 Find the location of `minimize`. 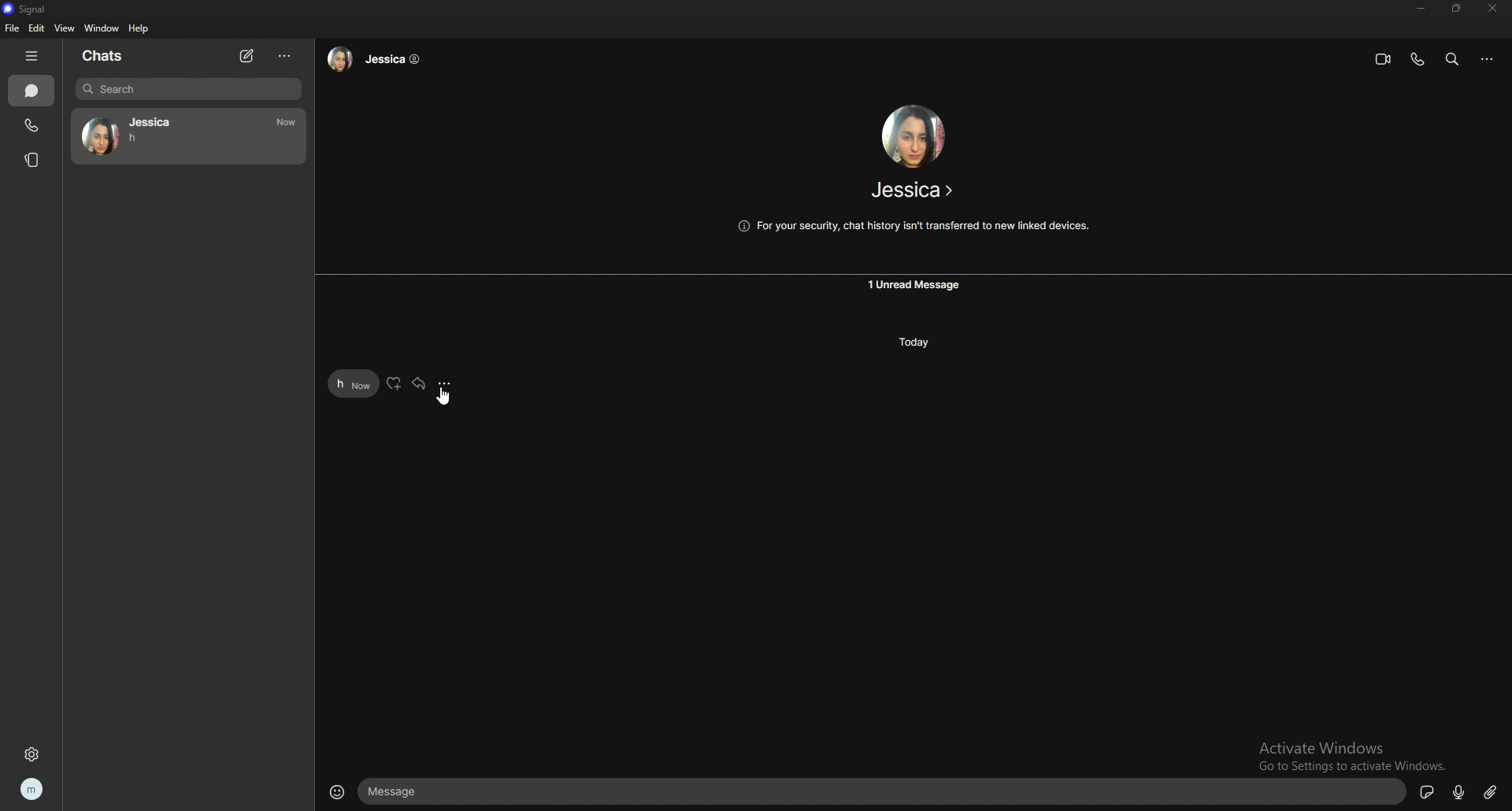

minimize is located at coordinates (1421, 8).